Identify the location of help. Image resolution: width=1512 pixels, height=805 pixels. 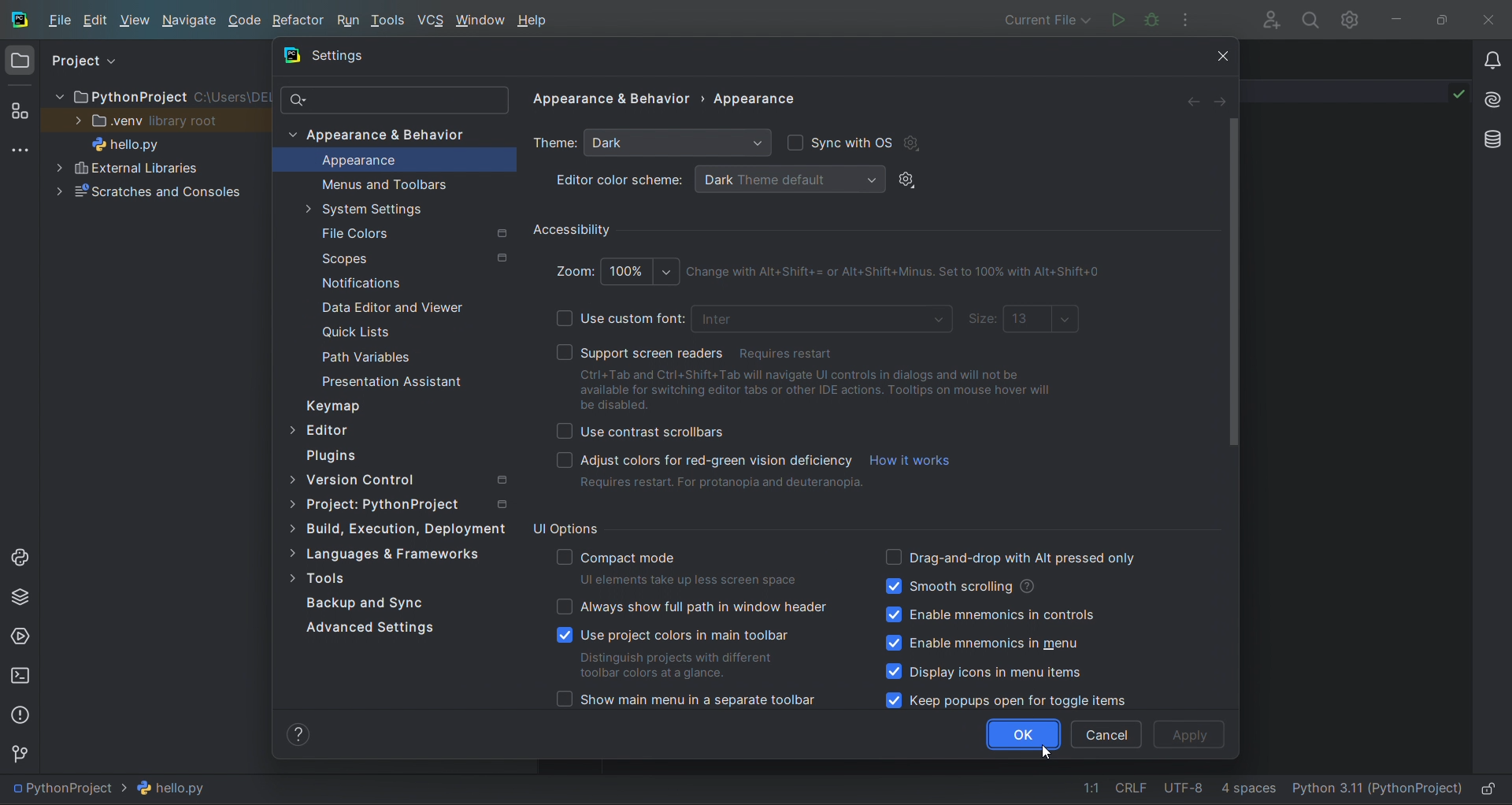
(535, 20).